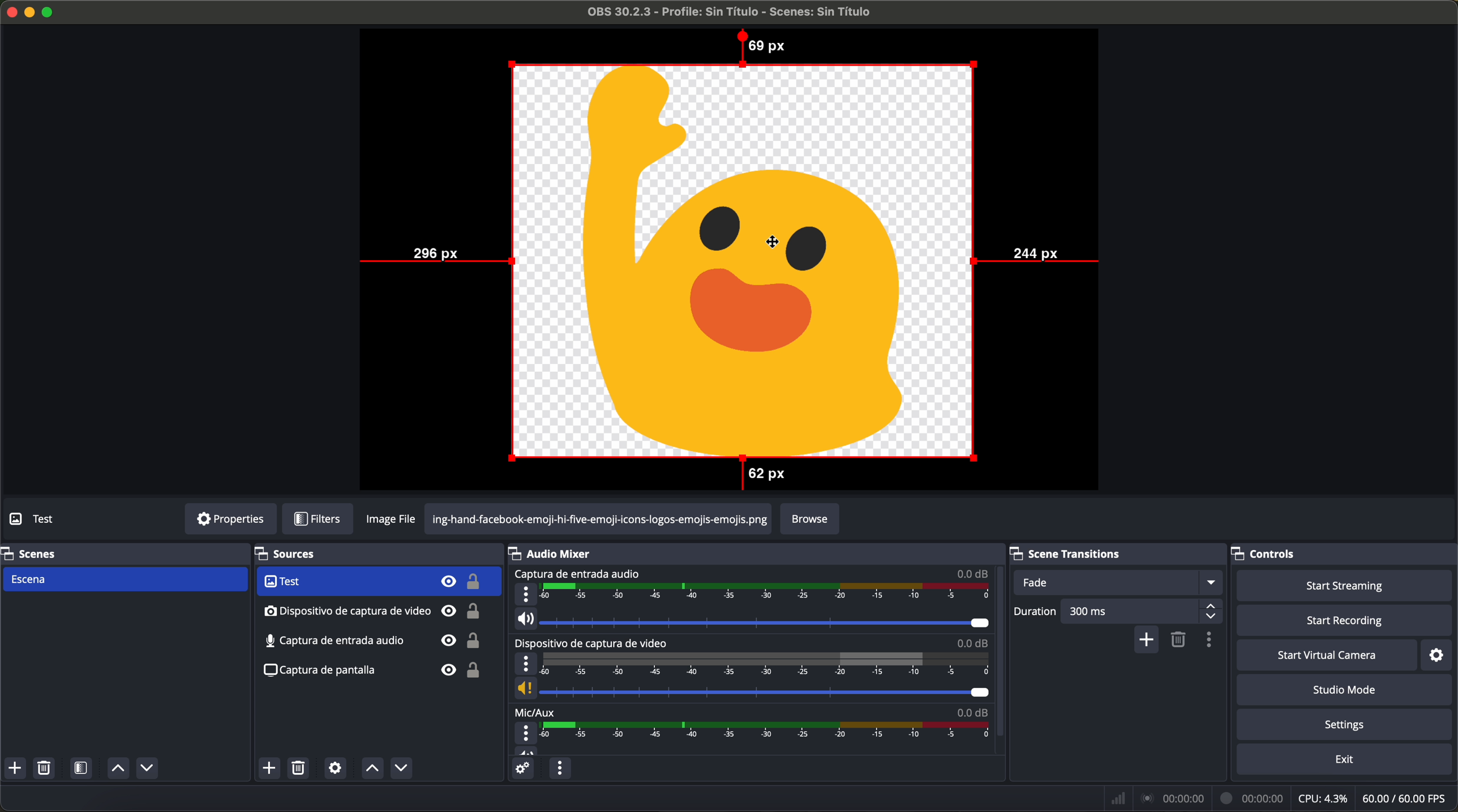 This screenshot has width=1458, height=812. I want to click on scene, so click(124, 580).